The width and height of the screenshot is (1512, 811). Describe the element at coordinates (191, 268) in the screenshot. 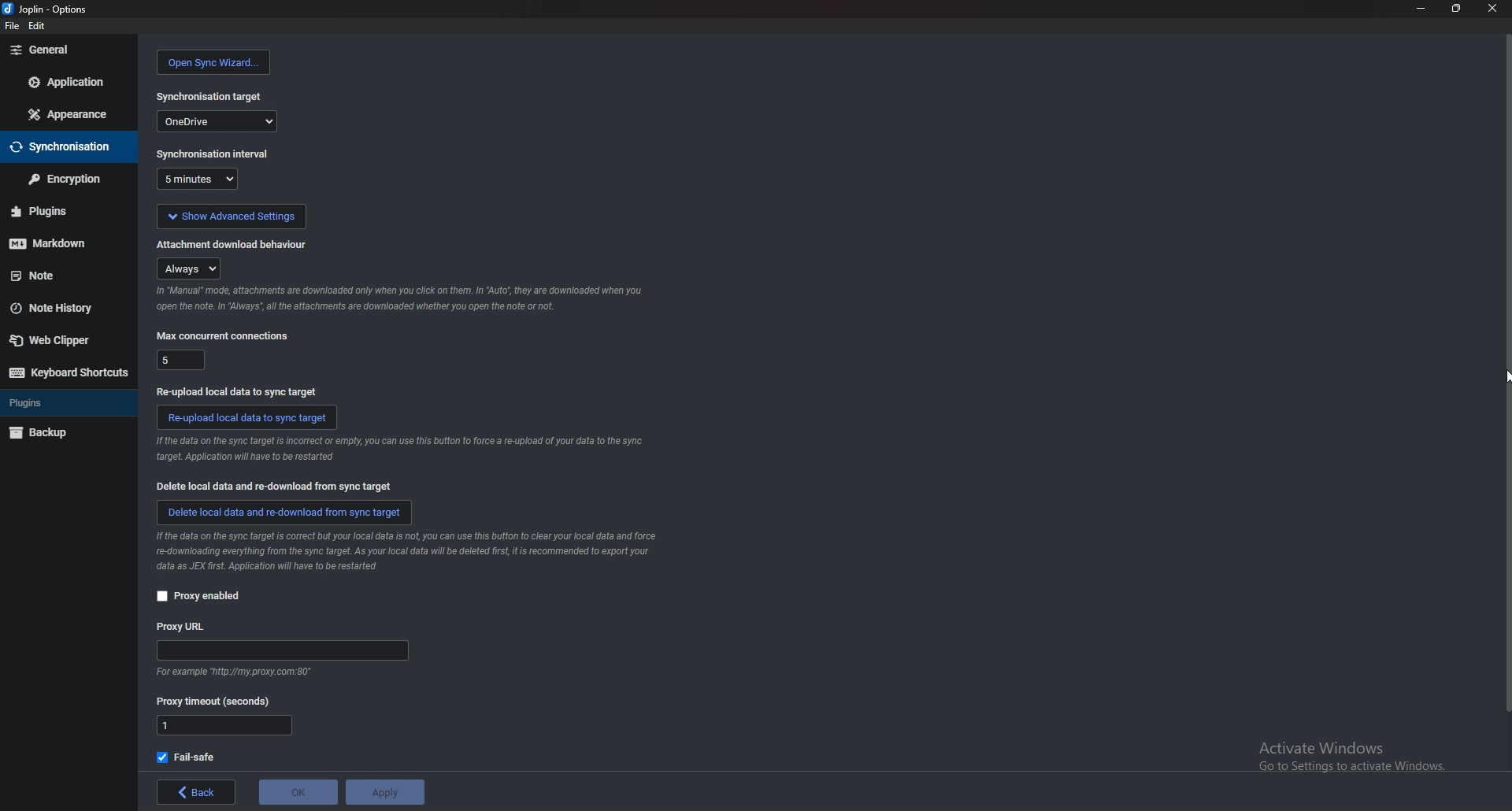

I see `attachment download behaviour` at that location.